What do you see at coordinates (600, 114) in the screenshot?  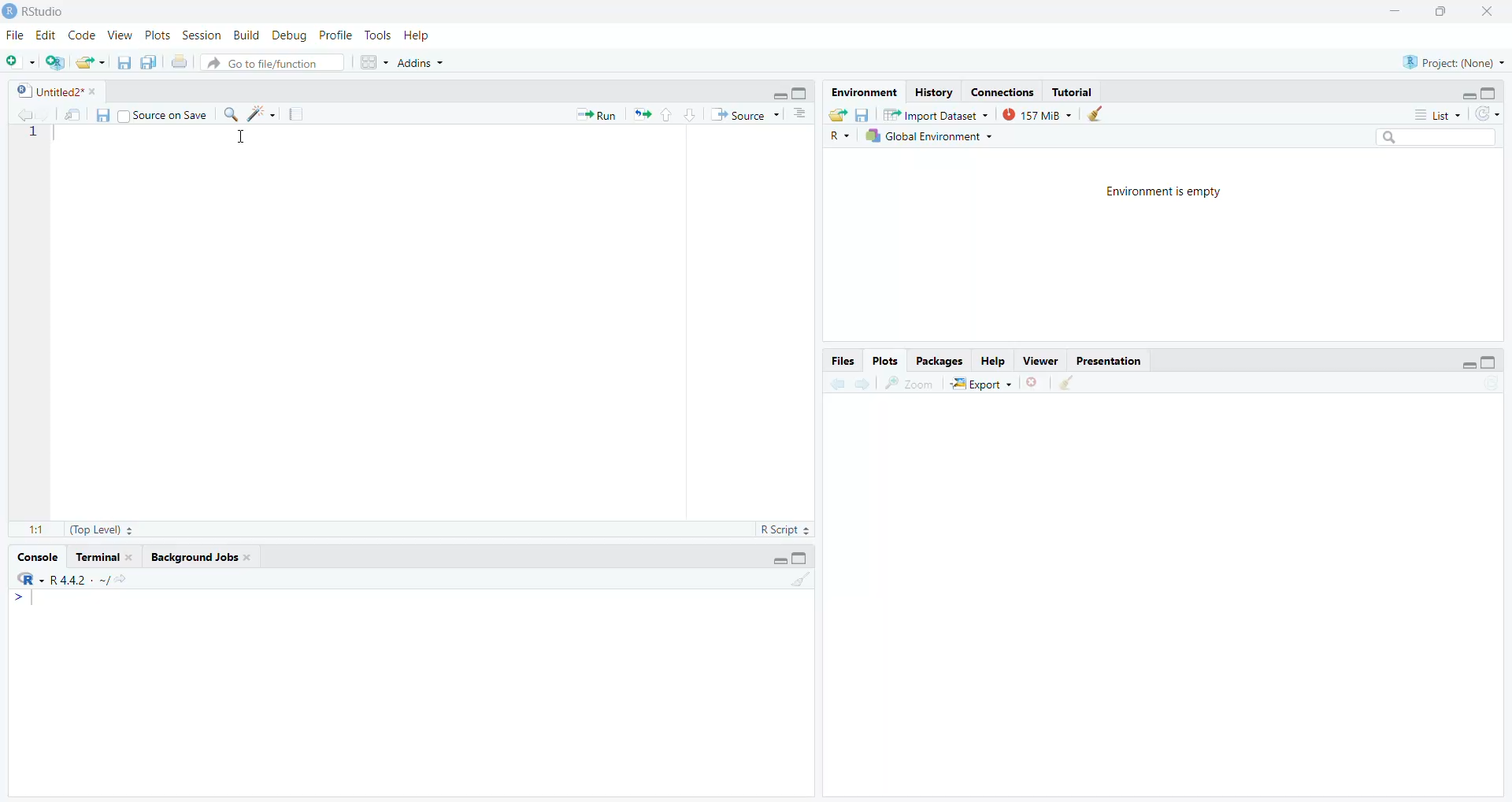 I see `» Run` at bounding box center [600, 114].